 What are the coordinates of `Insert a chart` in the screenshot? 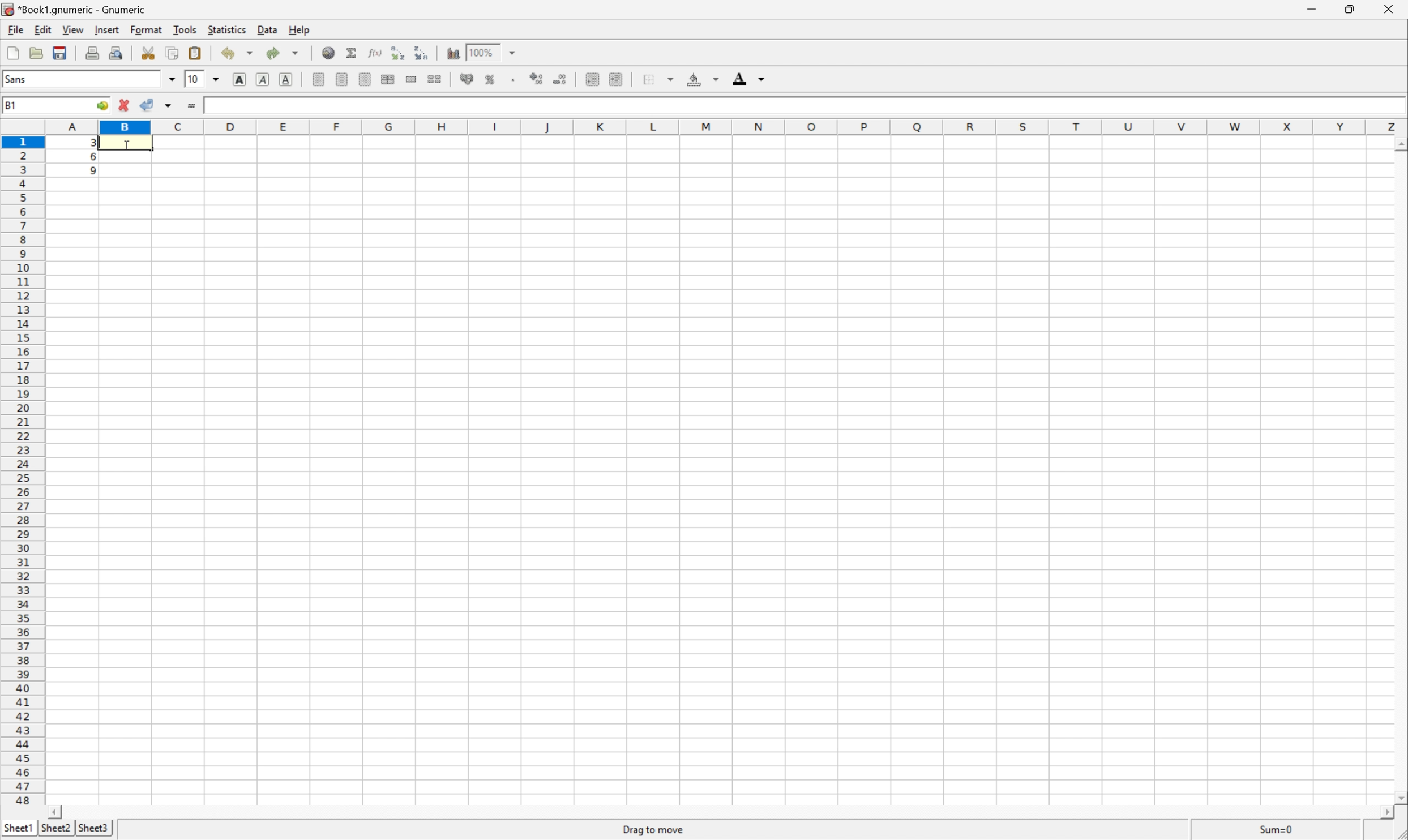 It's located at (454, 53).